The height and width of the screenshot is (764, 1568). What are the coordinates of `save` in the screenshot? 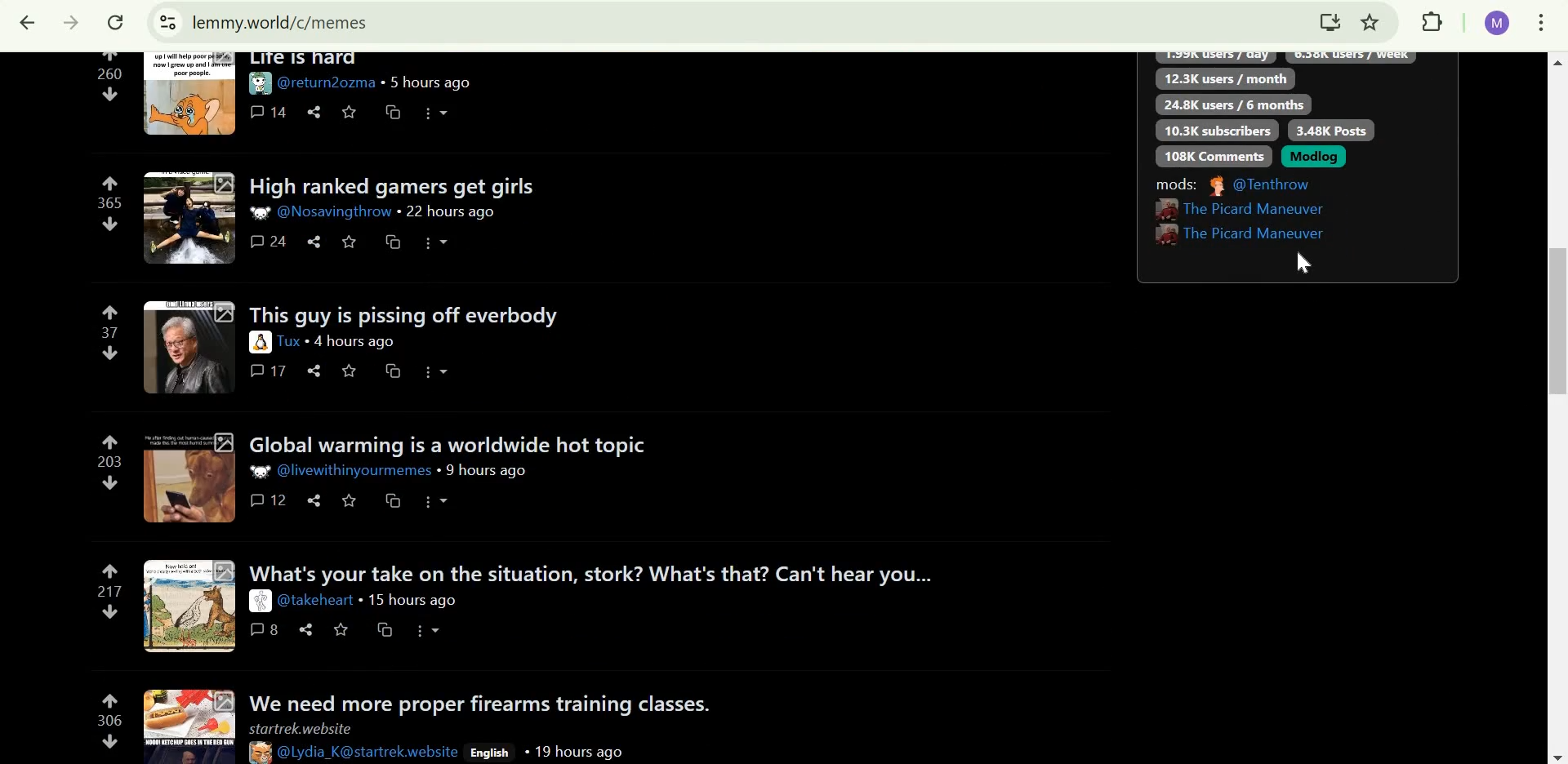 It's located at (341, 629).